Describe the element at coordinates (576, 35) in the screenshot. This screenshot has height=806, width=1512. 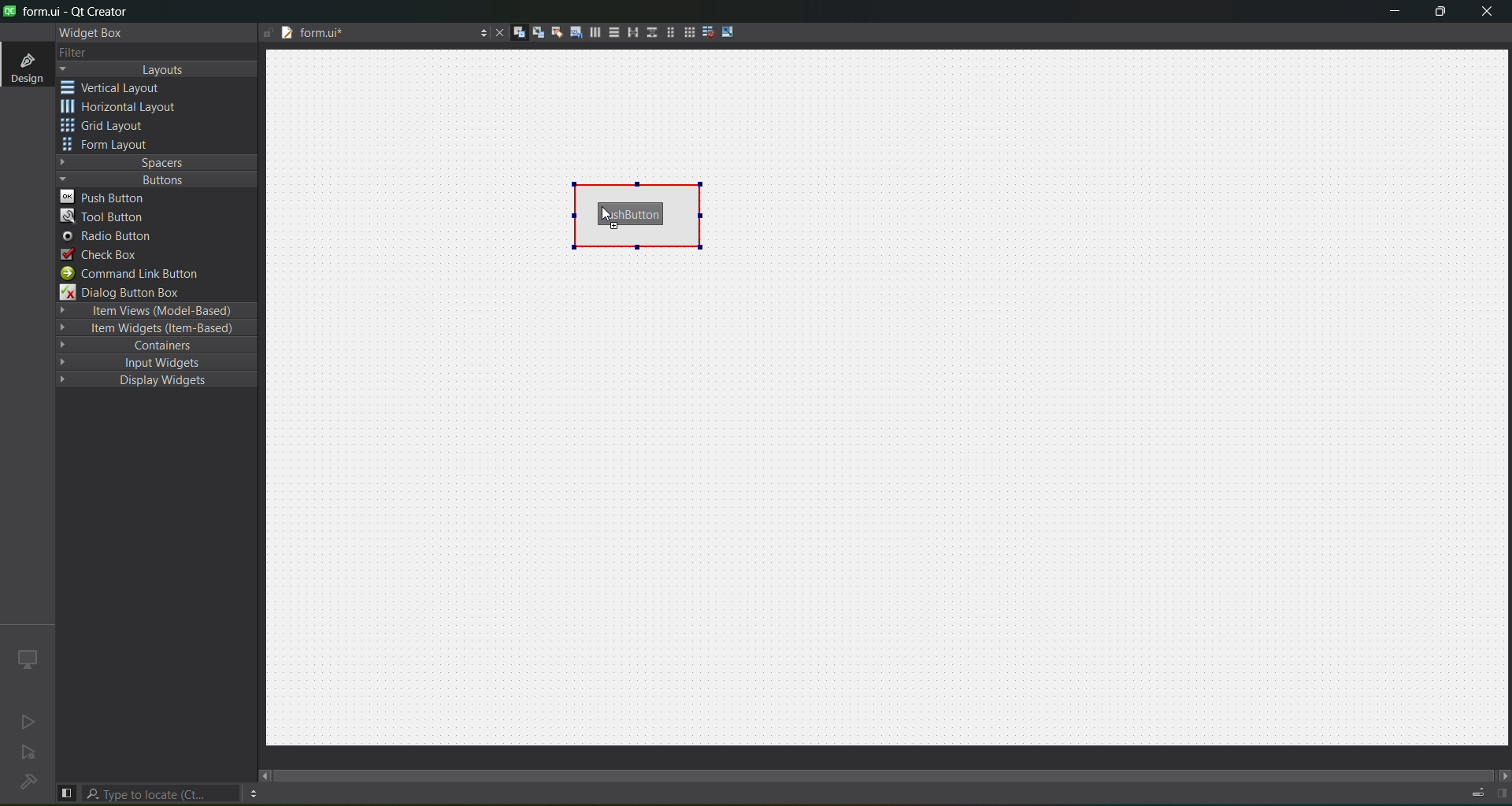
I see `edit tab` at that location.